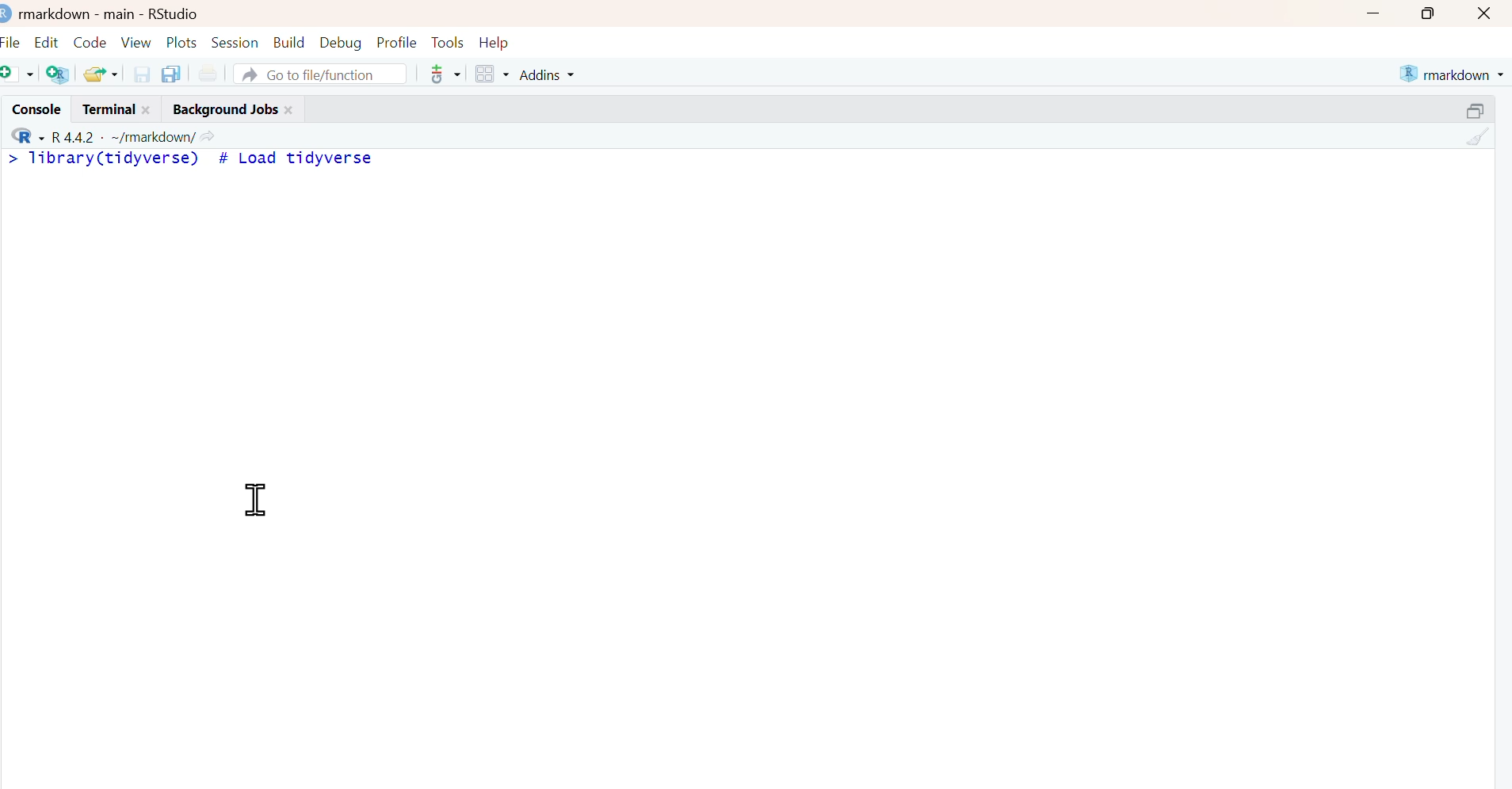  Describe the element at coordinates (1479, 137) in the screenshot. I see `clear console` at that location.